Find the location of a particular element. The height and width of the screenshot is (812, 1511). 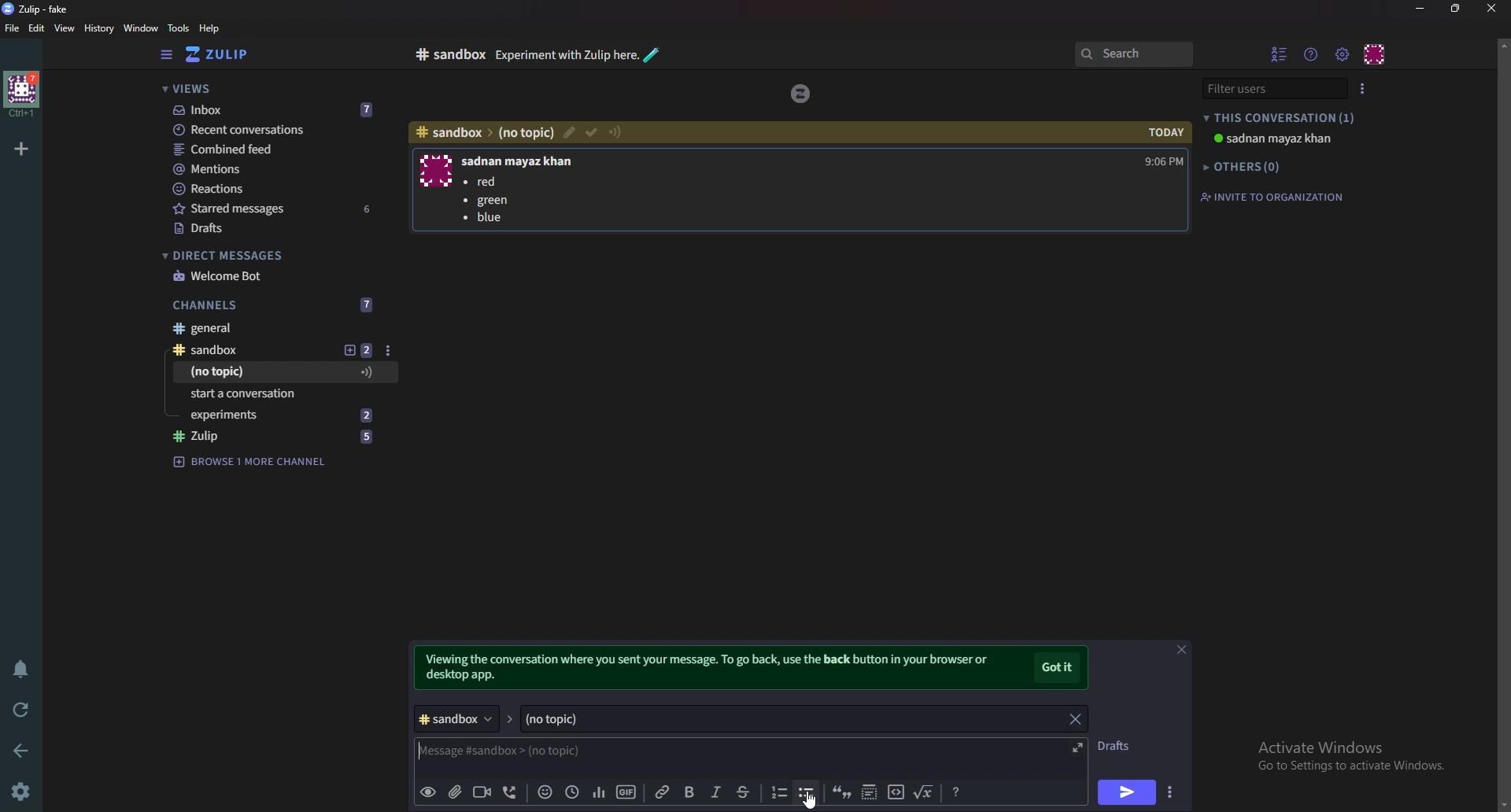

topic is located at coordinates (777, 720).